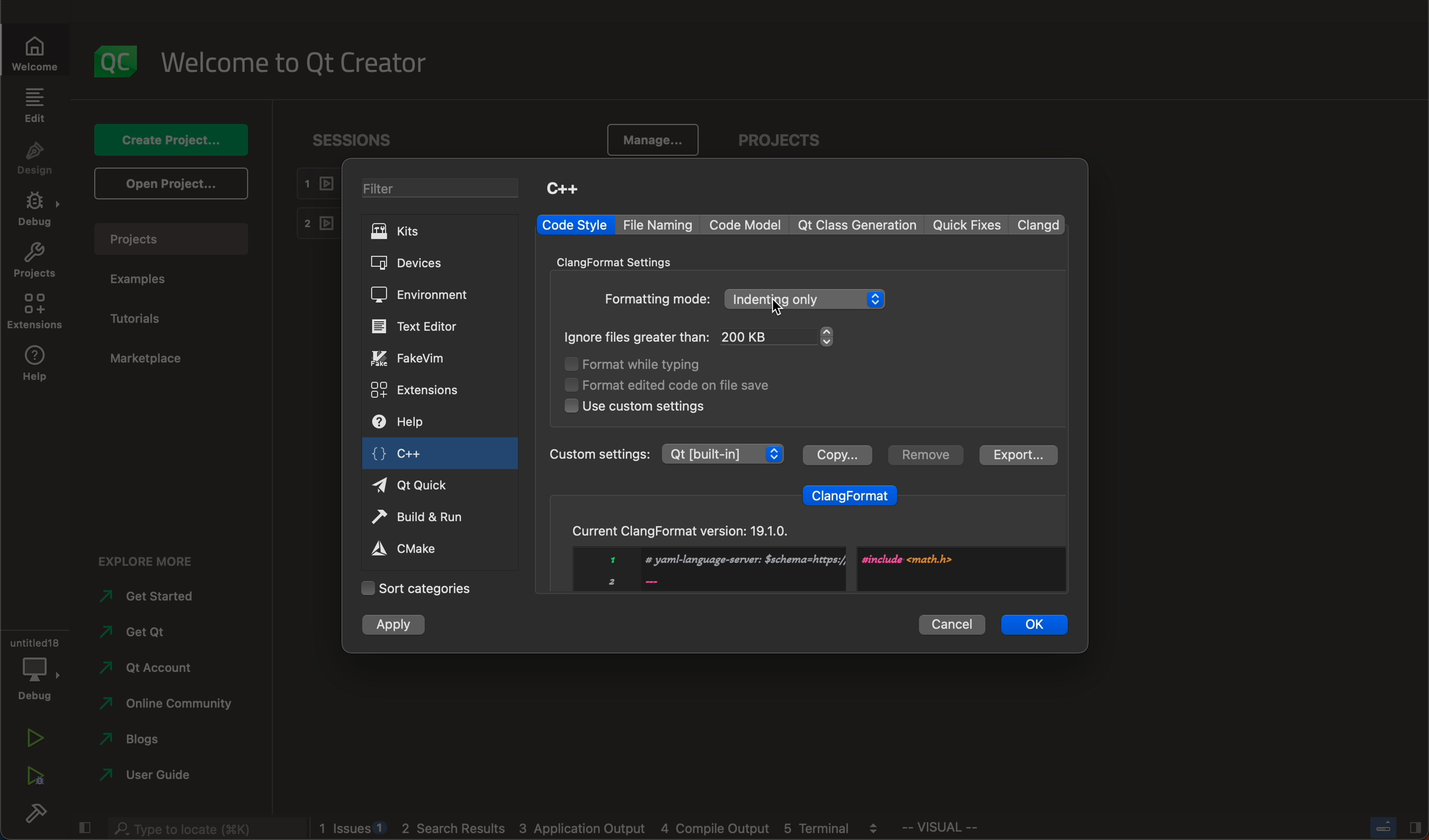 The image size is (1429, 840). I want to click on custom setting, so click(665, 453).